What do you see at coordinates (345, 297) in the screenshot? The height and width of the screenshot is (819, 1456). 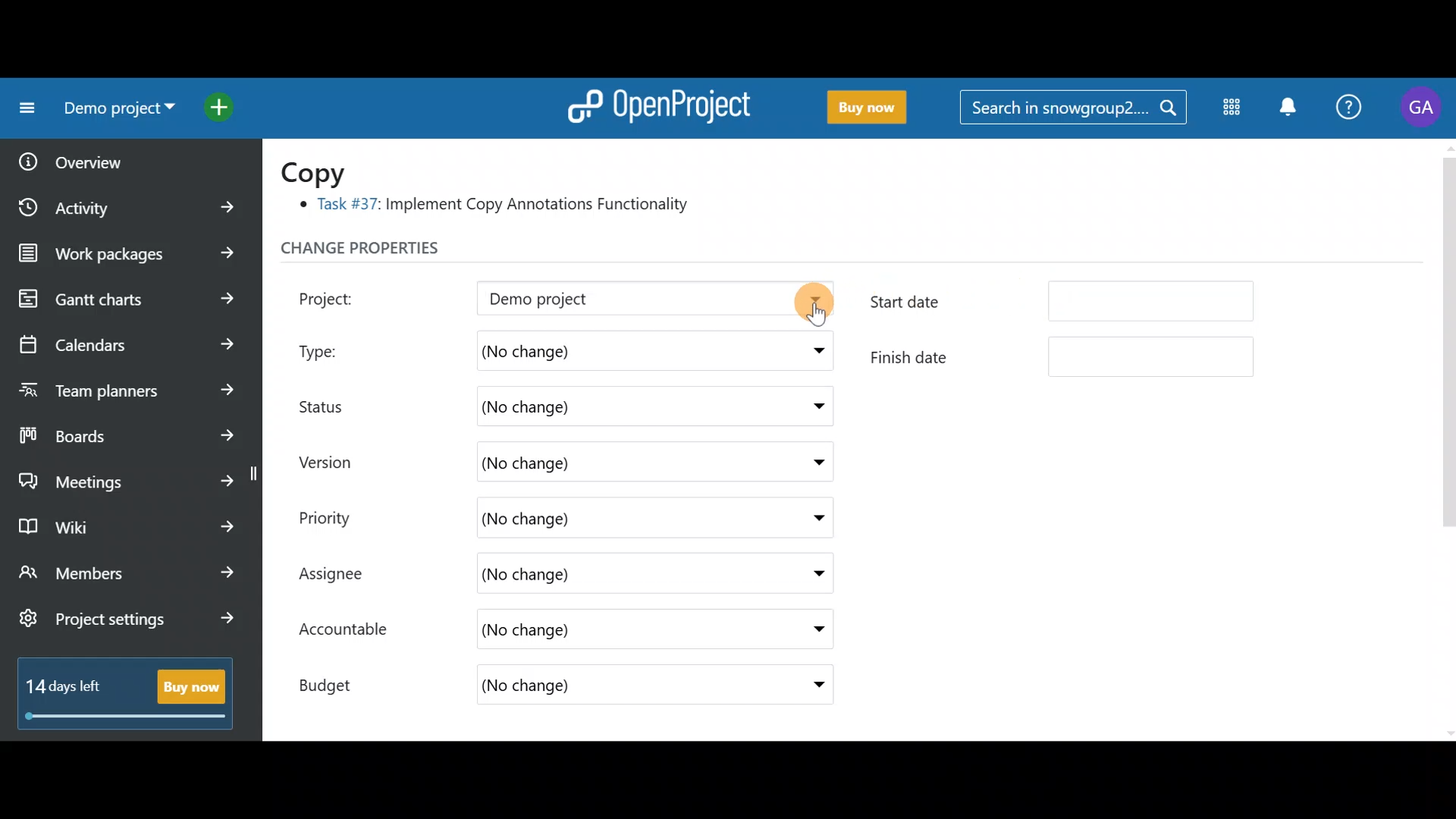 I see `Project` at bounding box center [345, 297].